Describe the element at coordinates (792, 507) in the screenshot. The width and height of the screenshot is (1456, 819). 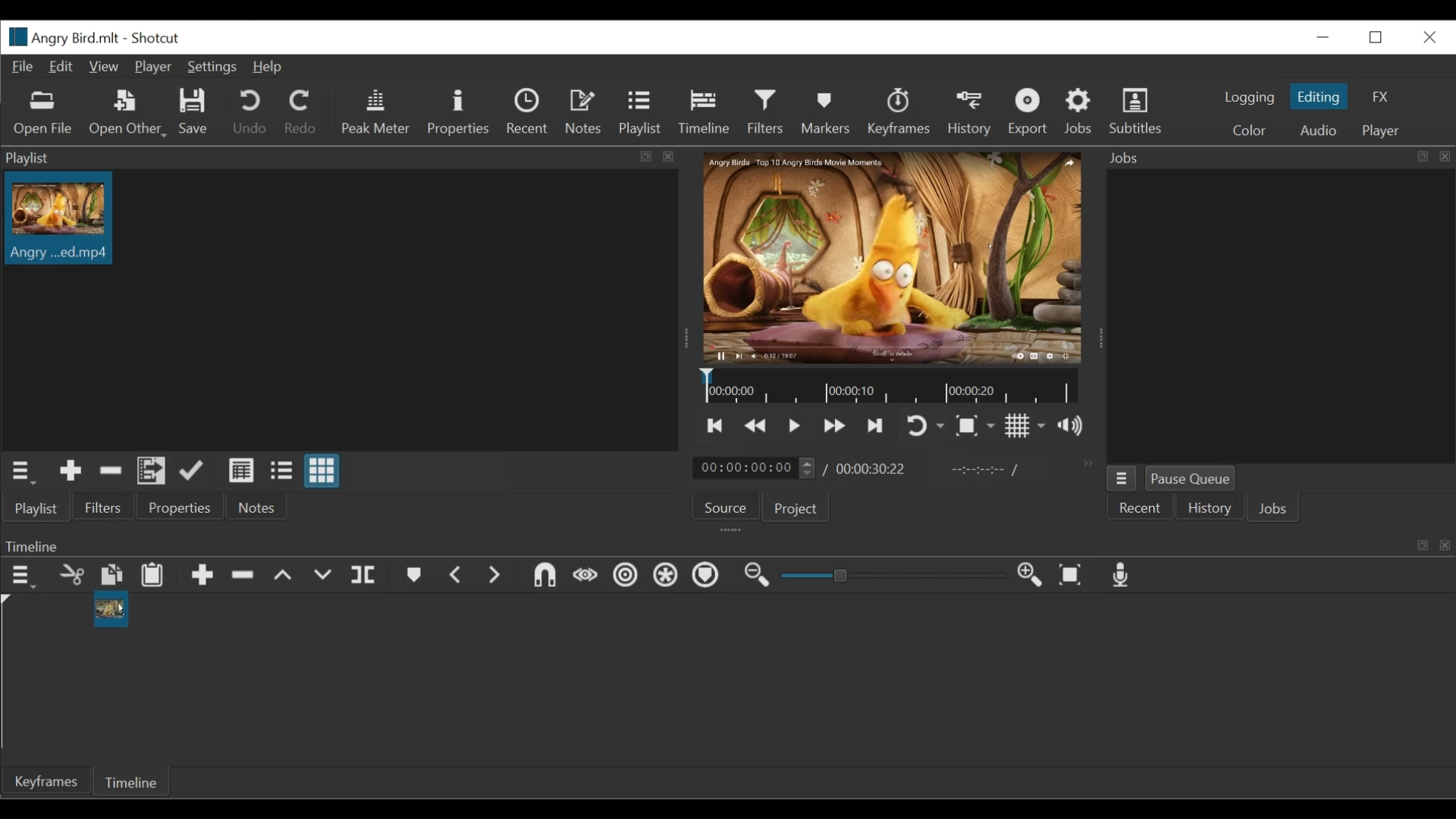
I see `Project` at that location.